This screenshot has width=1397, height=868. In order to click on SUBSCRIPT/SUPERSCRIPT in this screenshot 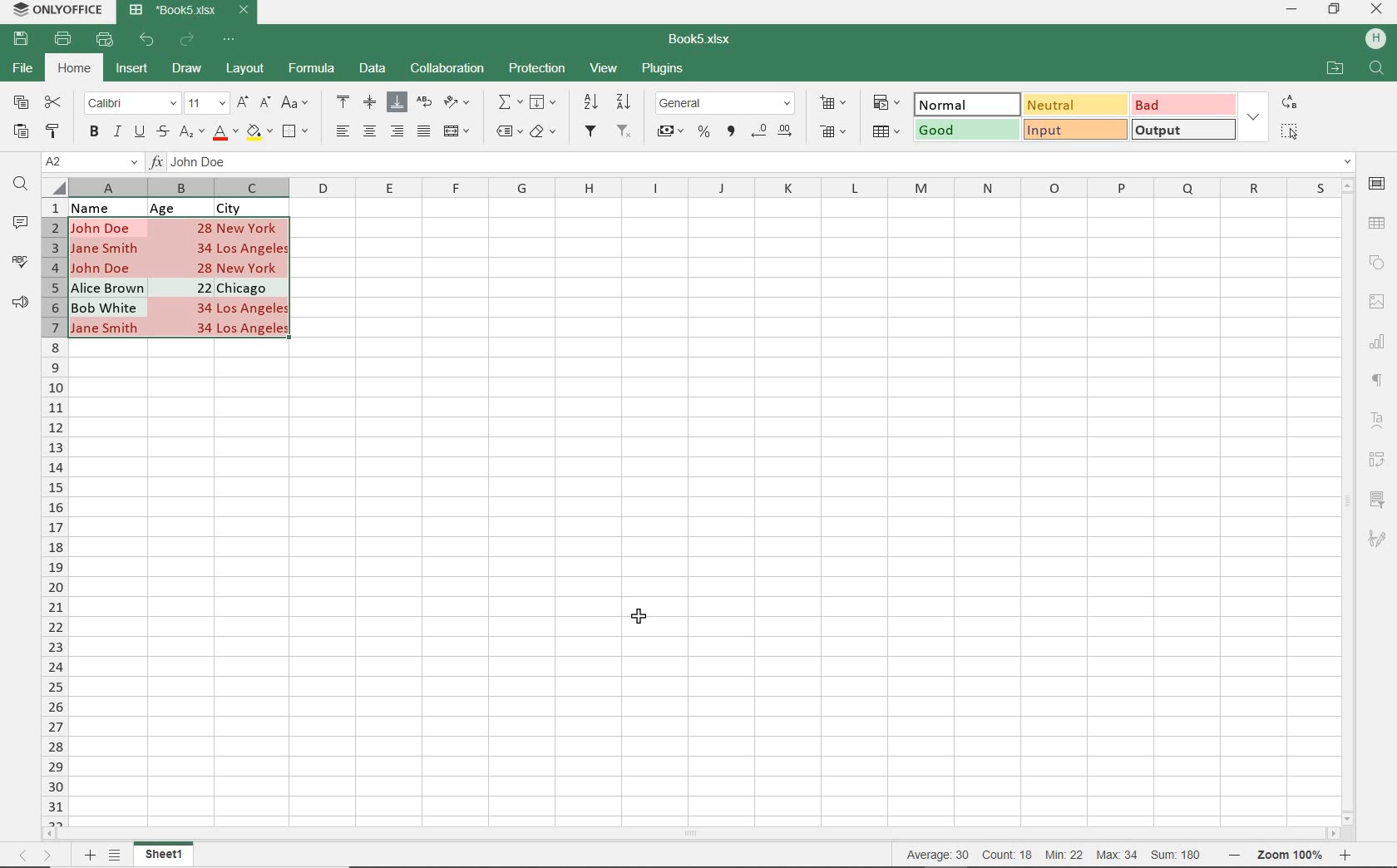, I will do `click(190, 131)`.